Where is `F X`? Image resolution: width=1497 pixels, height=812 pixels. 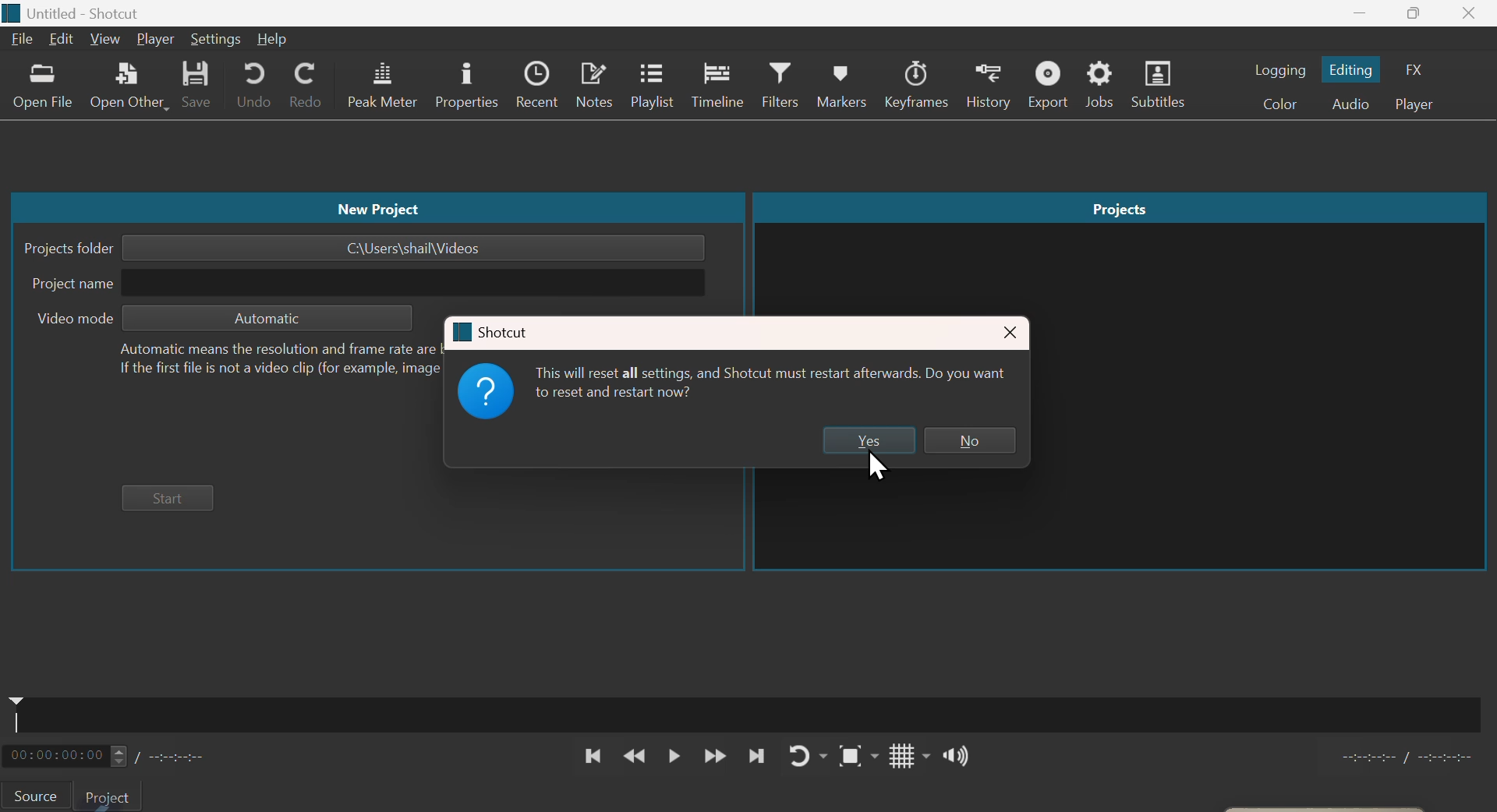
F X is located at coordinates (1423, 67).